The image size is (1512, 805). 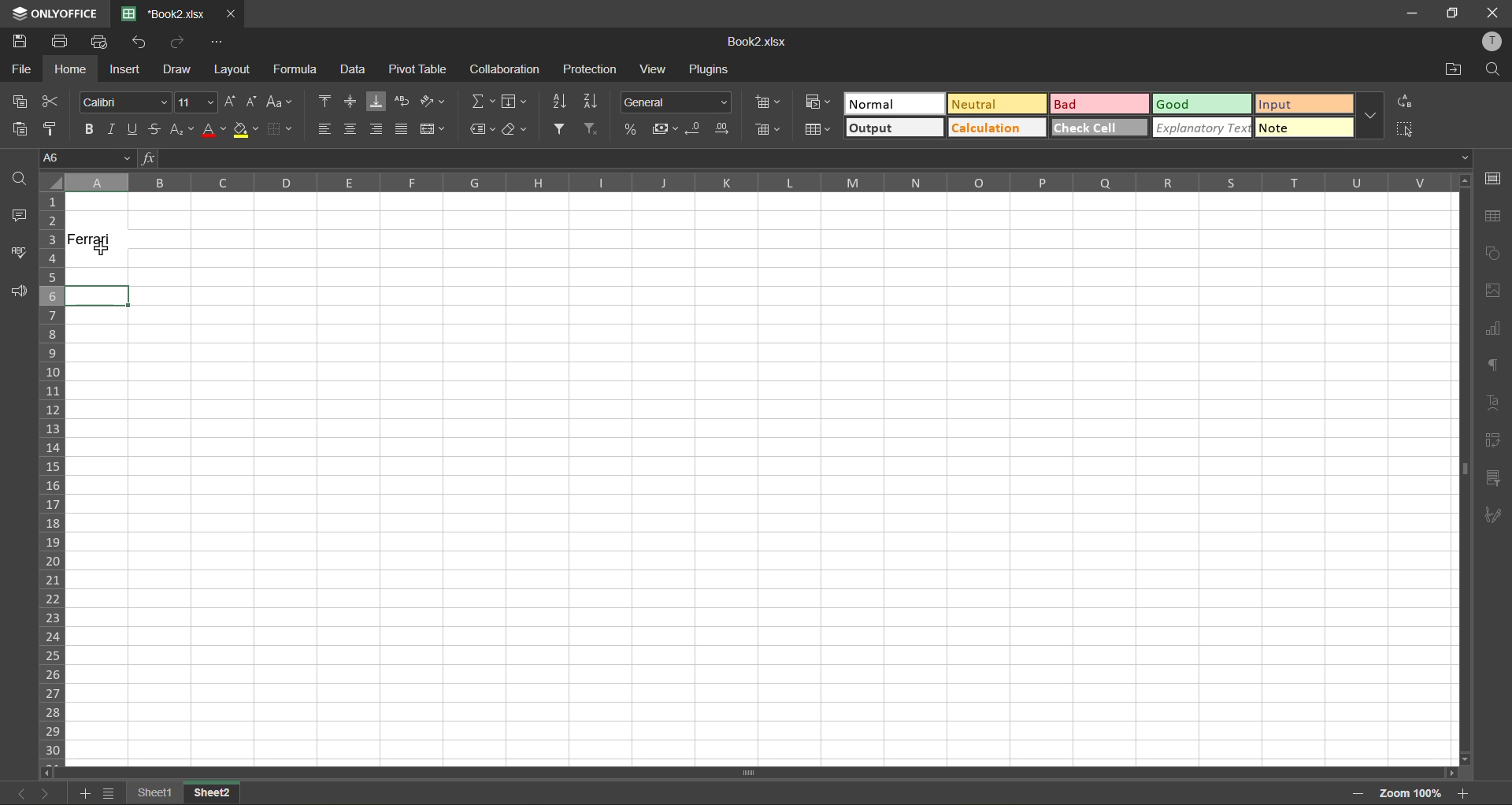 What do you see at coordinates (1493, 12) in the screenshot?
I see `close` at bounding box center [1493, 12].